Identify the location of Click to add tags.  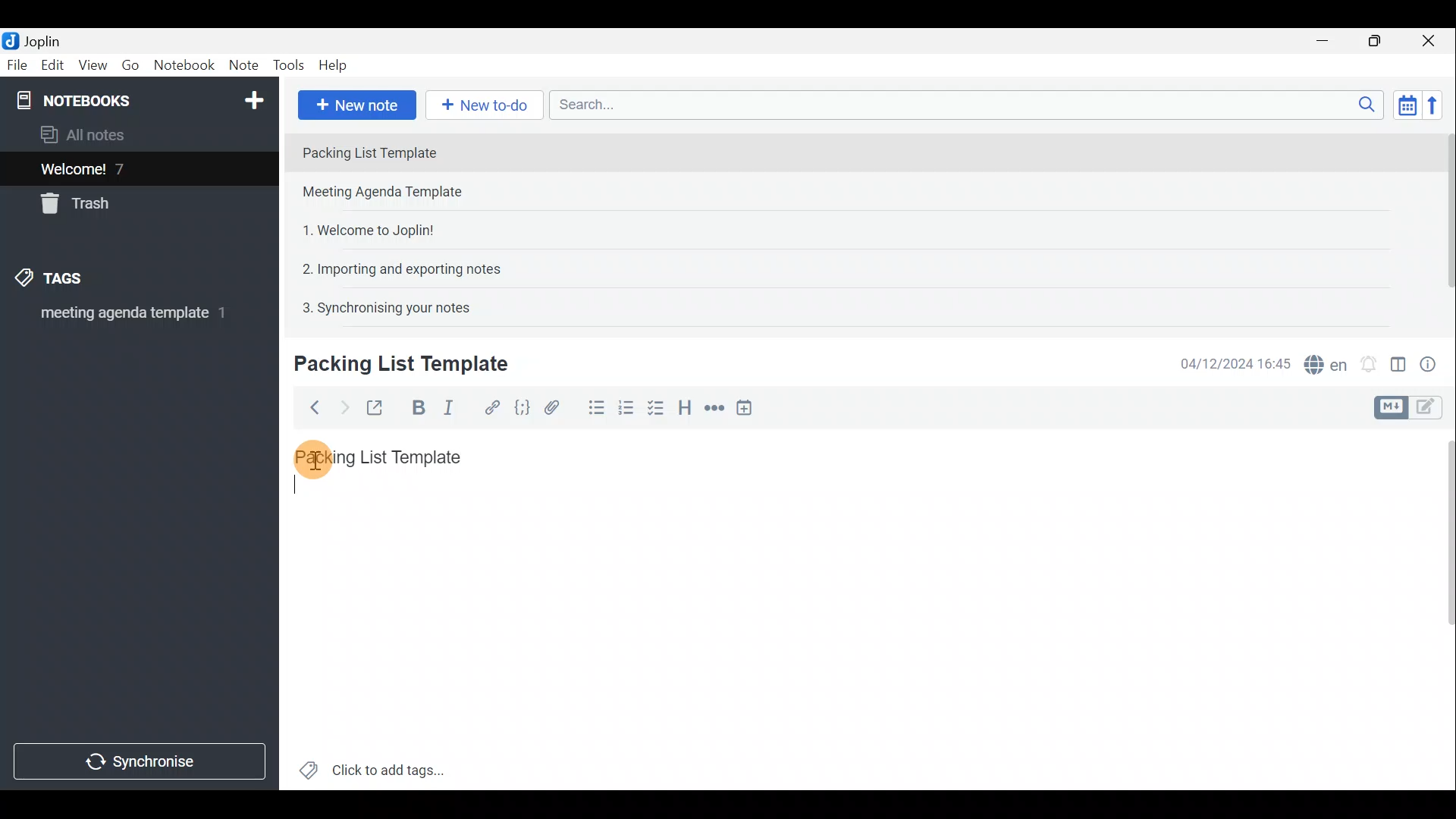
(372, 766).